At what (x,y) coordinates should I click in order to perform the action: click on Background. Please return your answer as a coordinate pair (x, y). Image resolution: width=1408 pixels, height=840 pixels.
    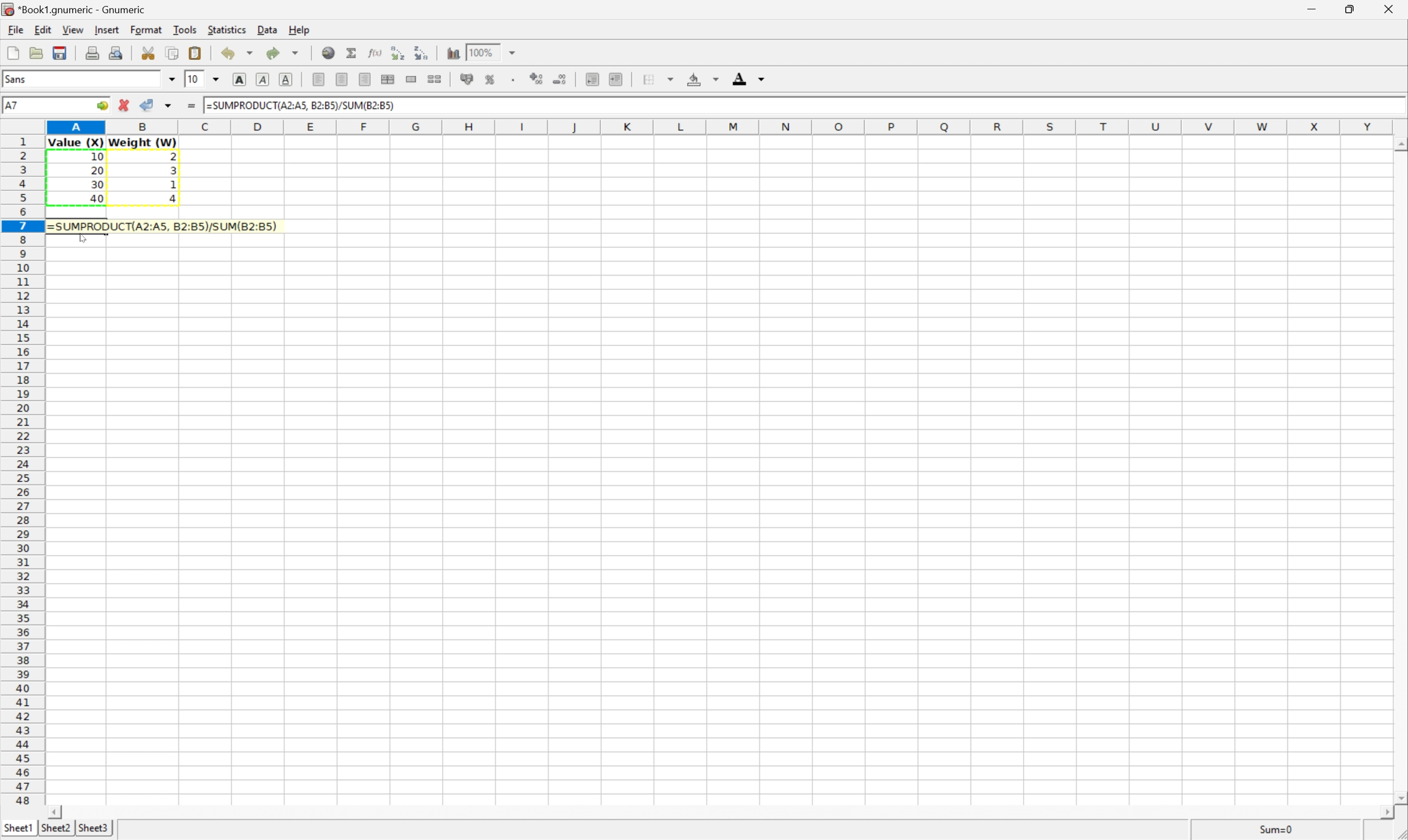
    Looking at the image, I should click on (703, 78).